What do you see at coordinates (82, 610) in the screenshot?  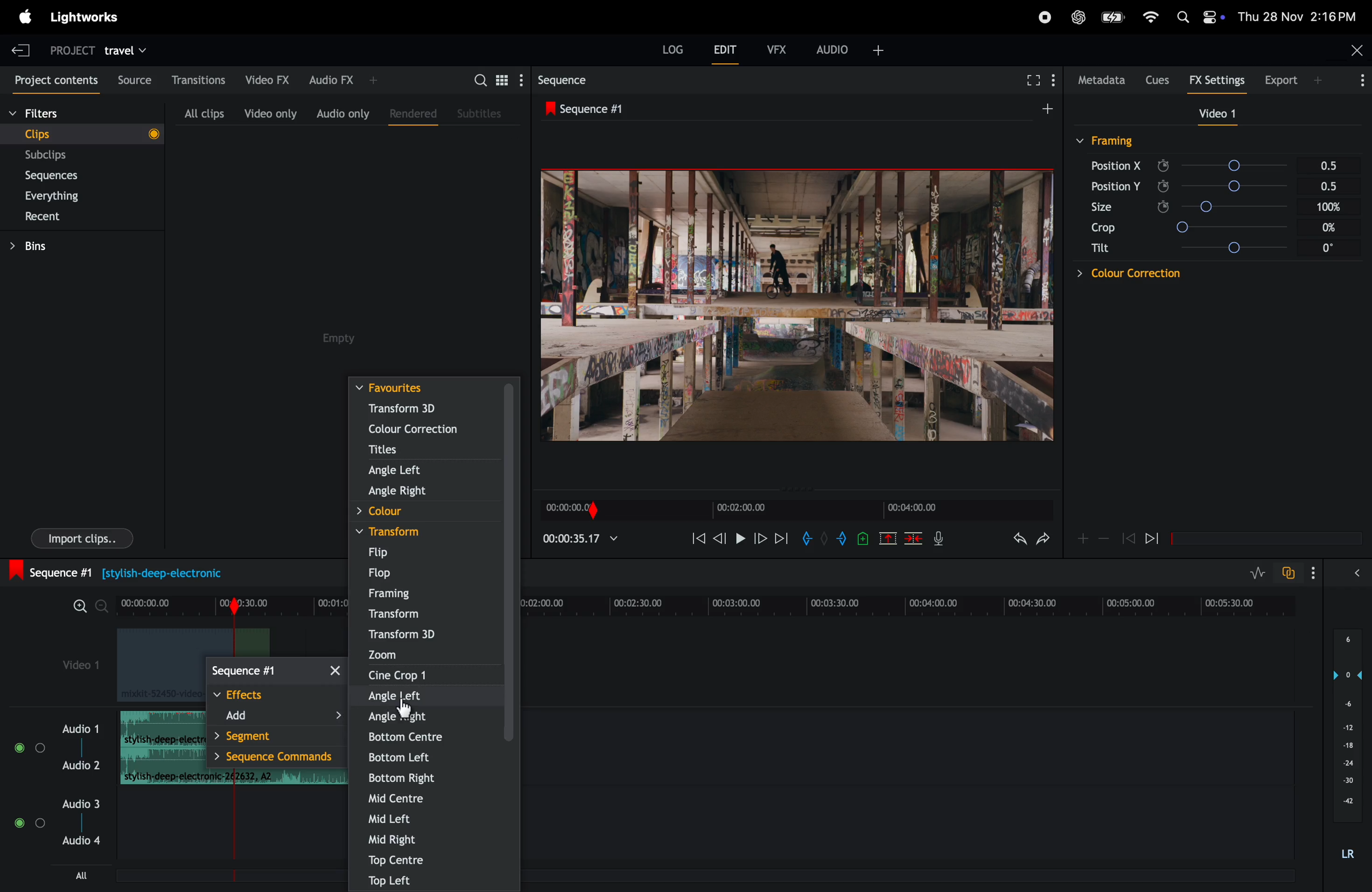 I see `zoom in zoom out` at bounding box center [82, 610].